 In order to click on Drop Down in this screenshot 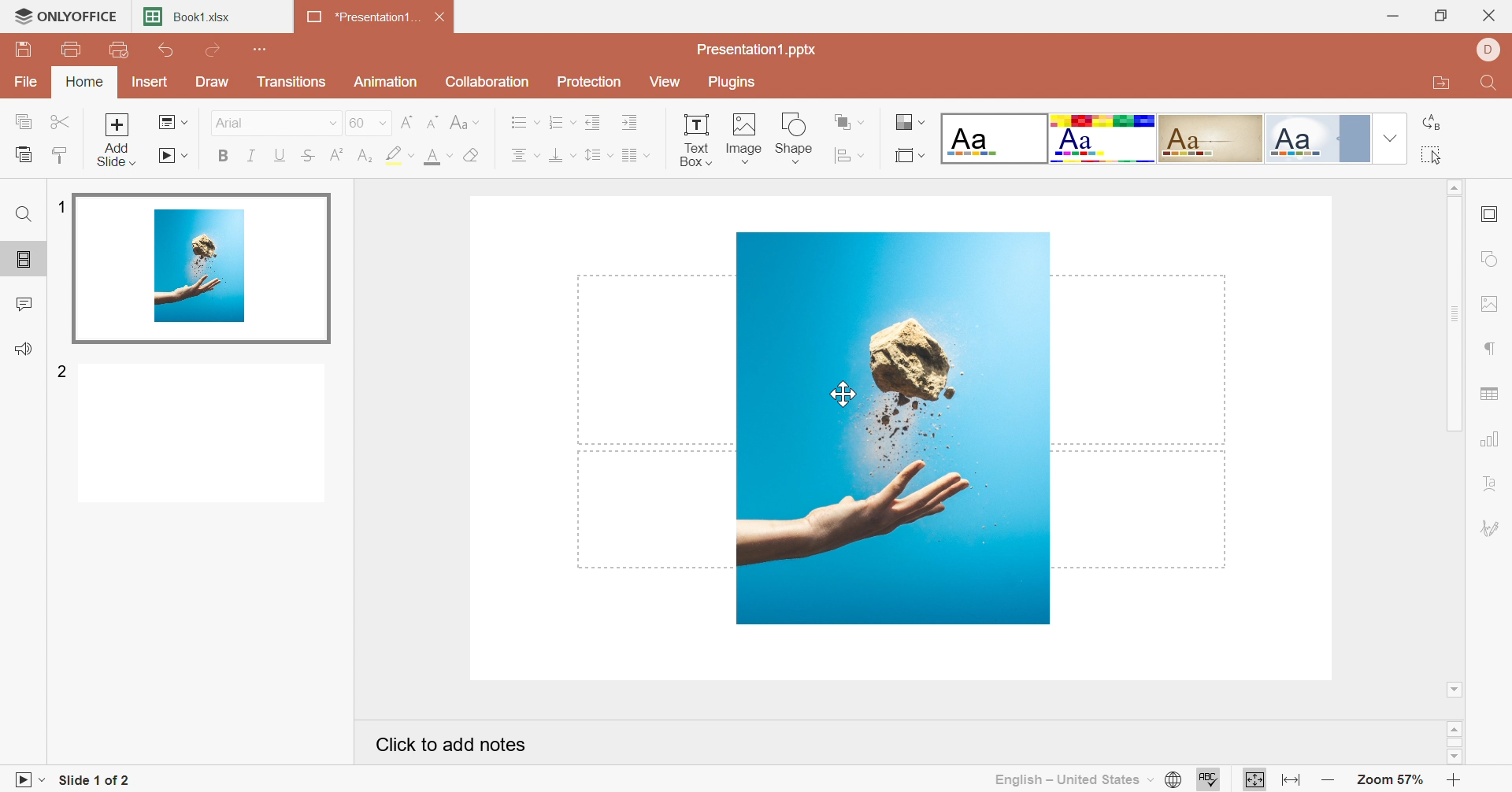, I will do `click(329, 123)`.